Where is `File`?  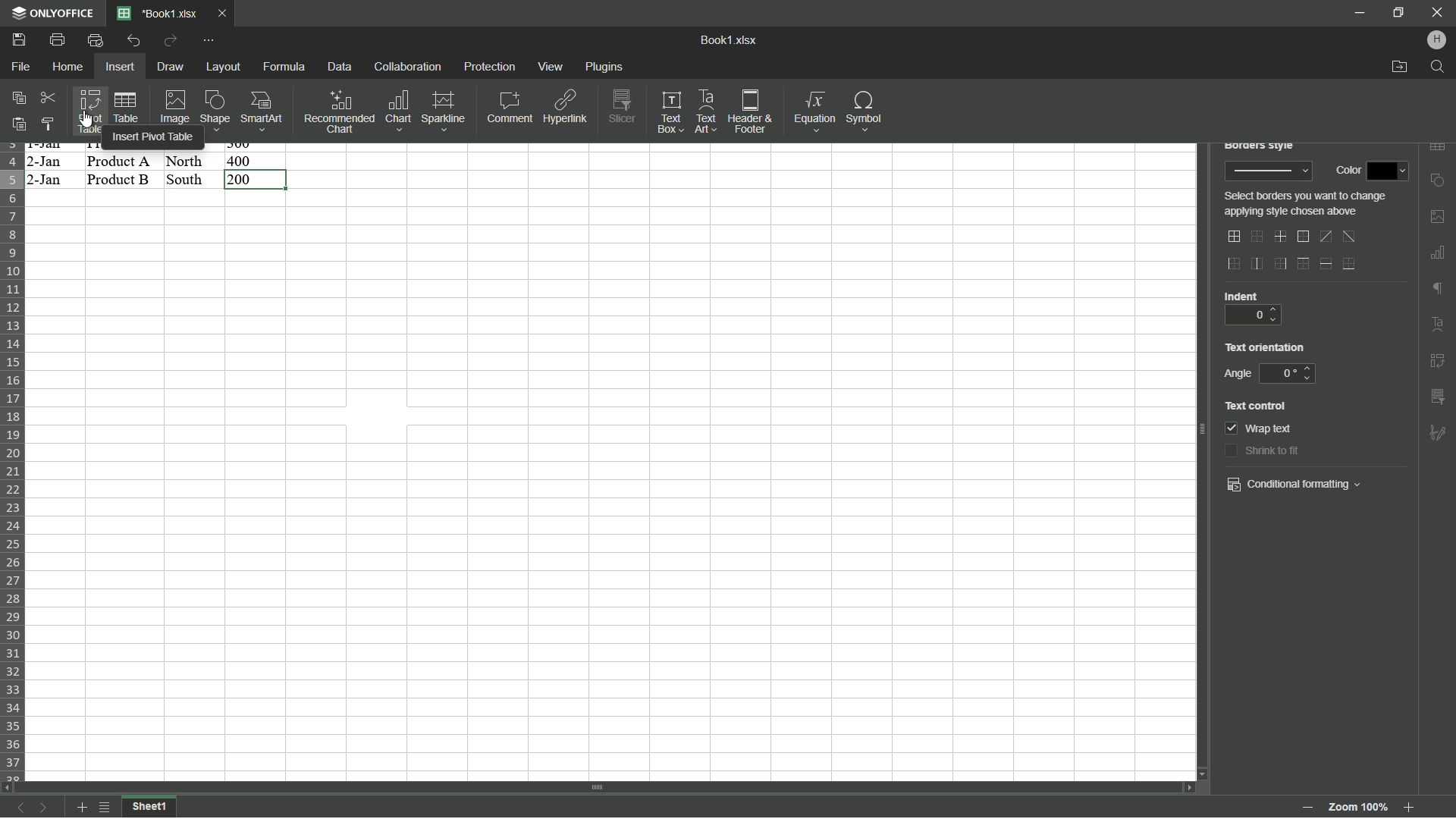
File is located at coordinates (21, 67).